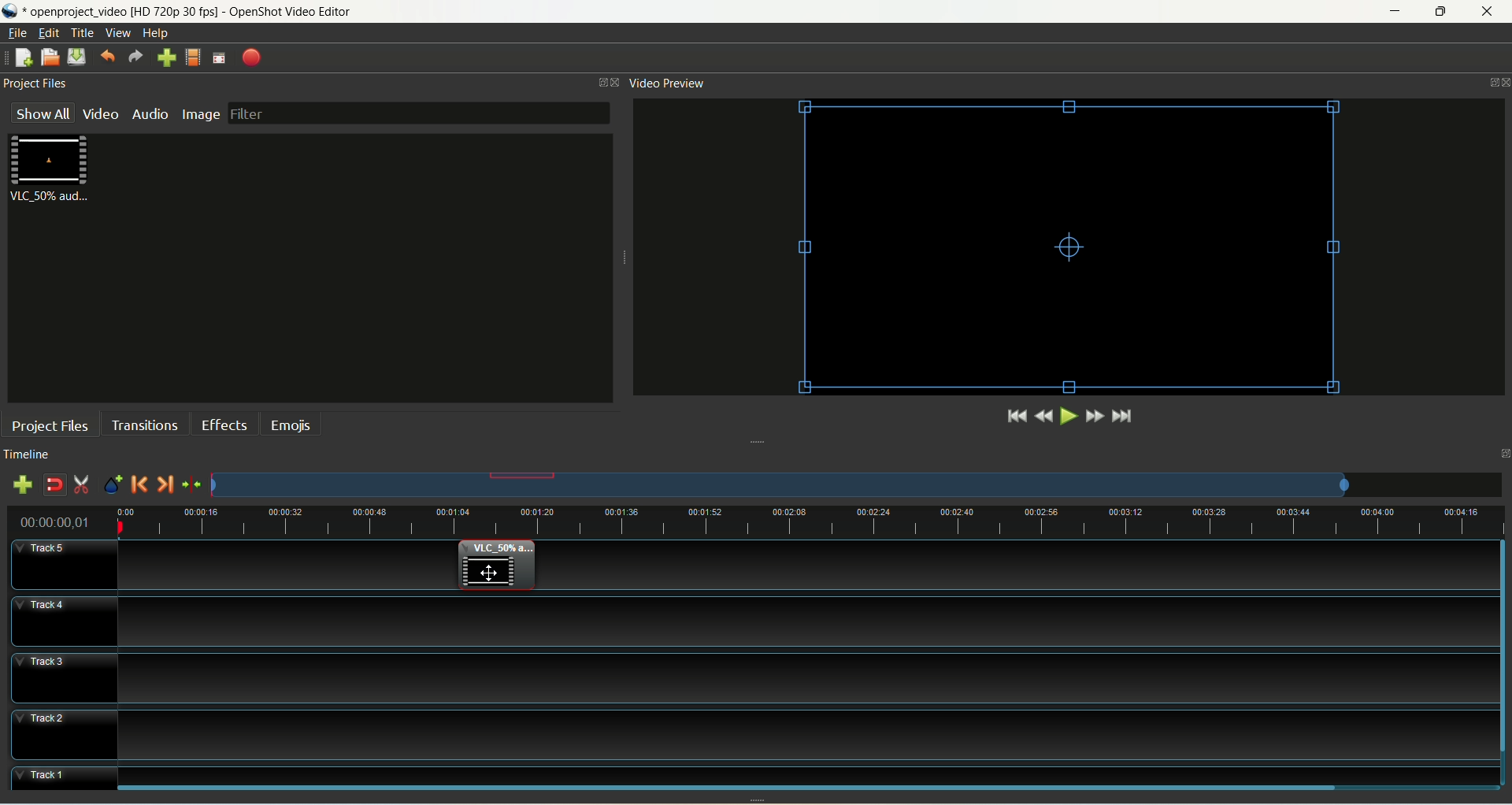  What do you see at coordinates (492, 573) in the screenshot?
I see `cursor` at bounding box center [492, 573].